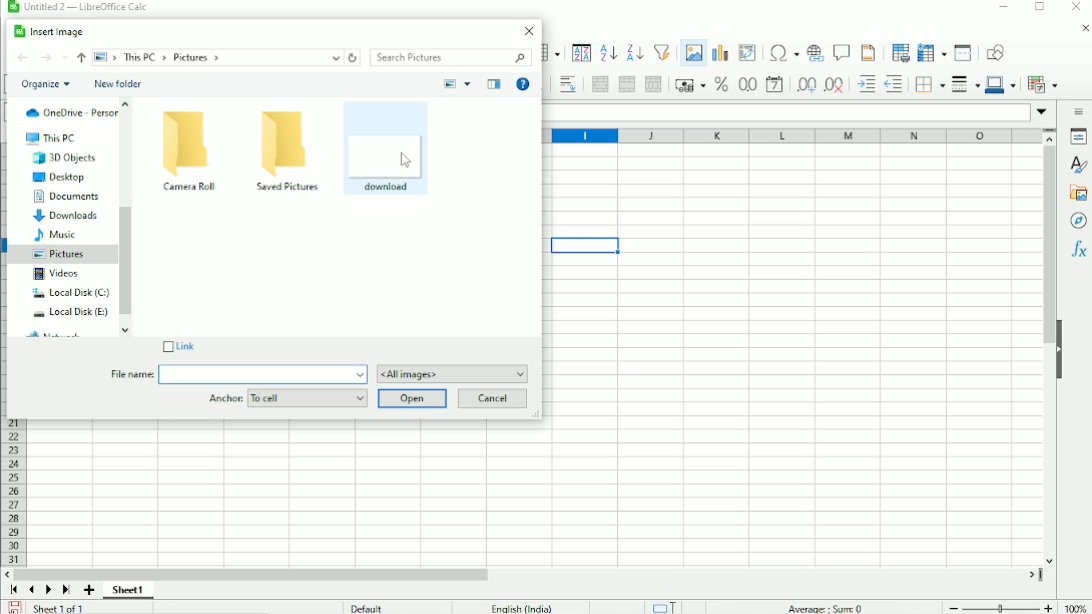 The height and width of the screenshot is (614, 1092). What do you see at coordinates (31, 590) in the screenshot?
I see `Scroll to previous sheet` at bounding box center [31, 590].